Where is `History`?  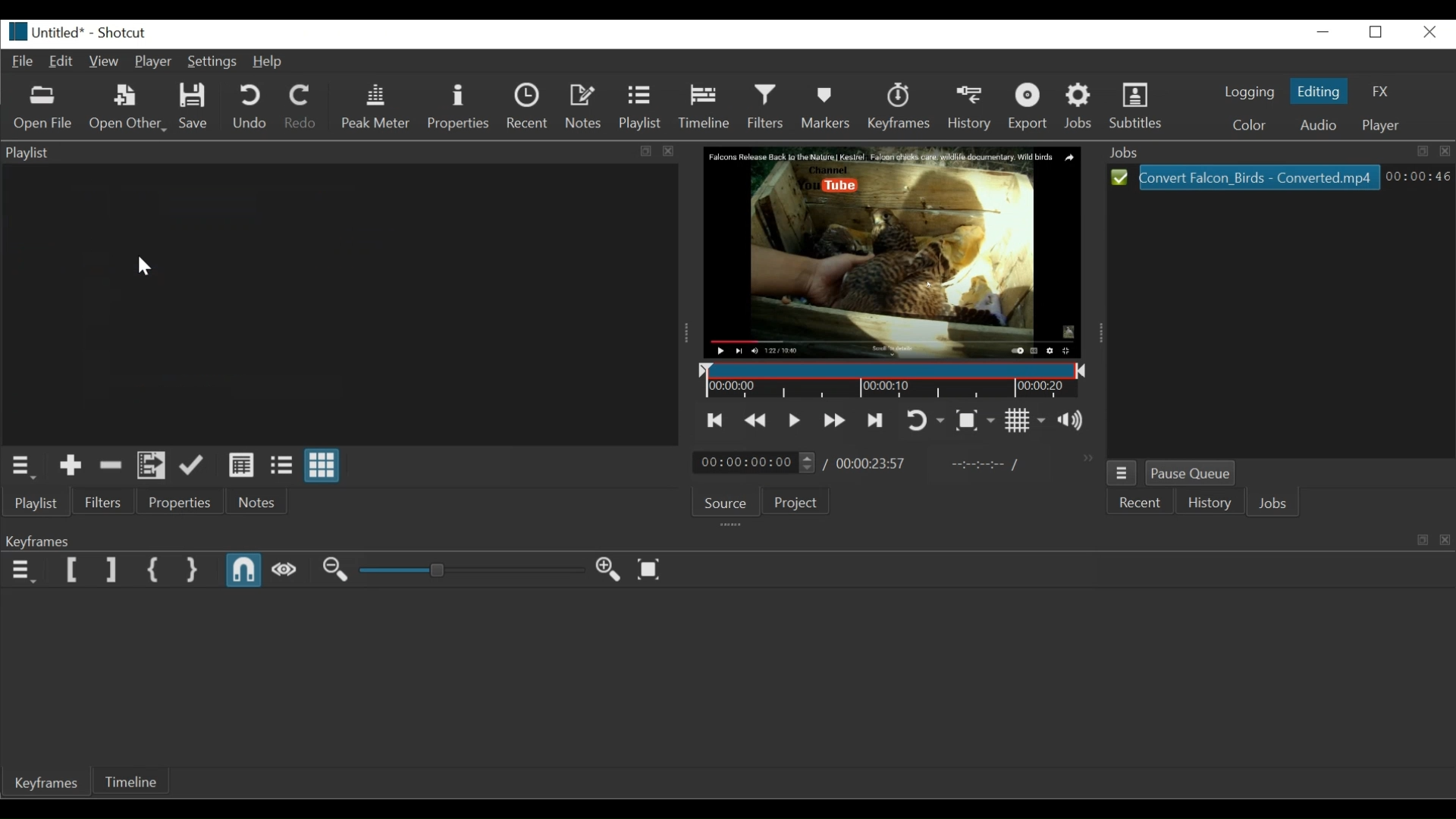
History is located at coordinates (1209, 504).